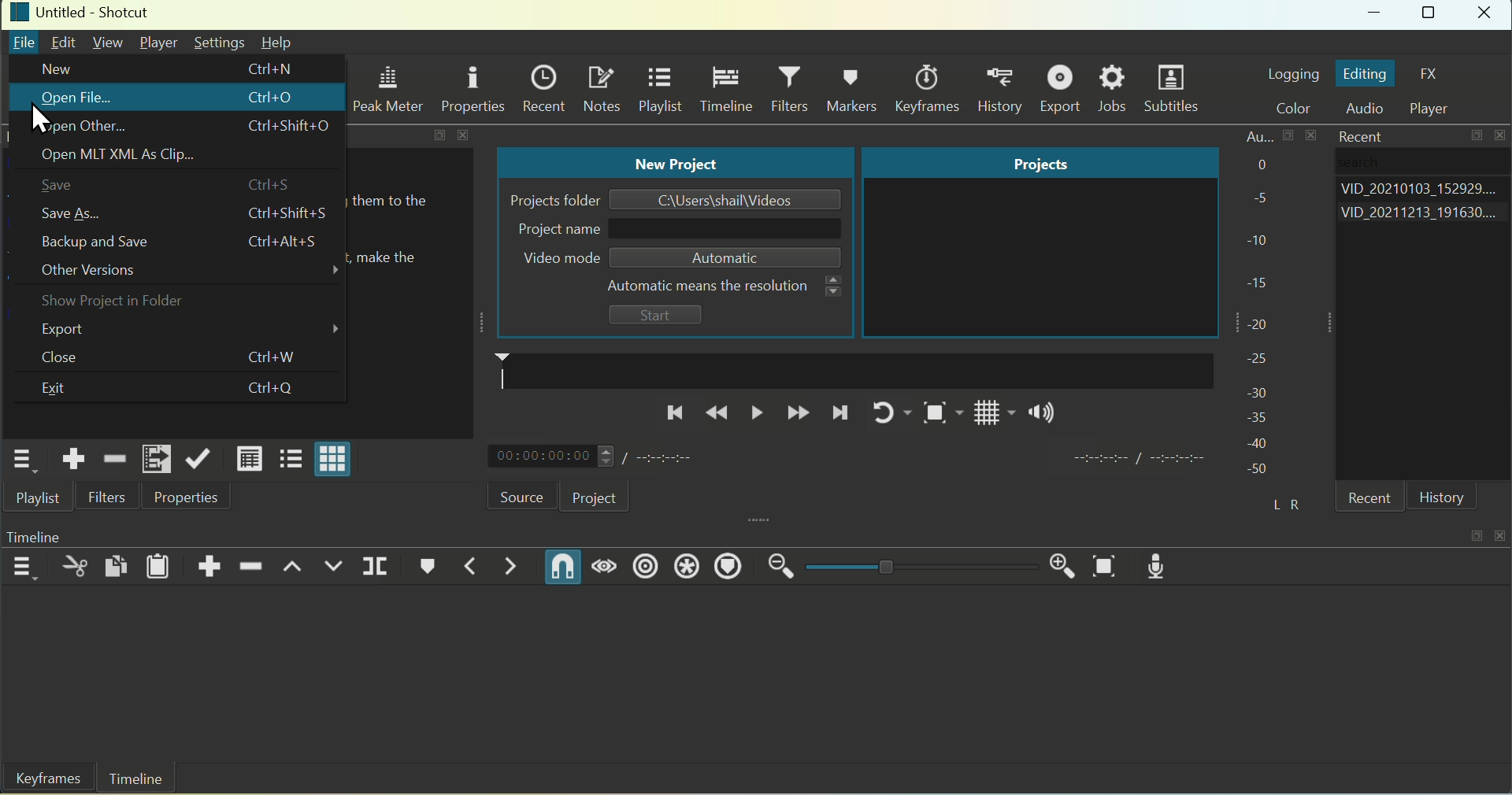 This screenshot has height=795, width=1512. I want to click on Next Markeer, so click(513, 567).